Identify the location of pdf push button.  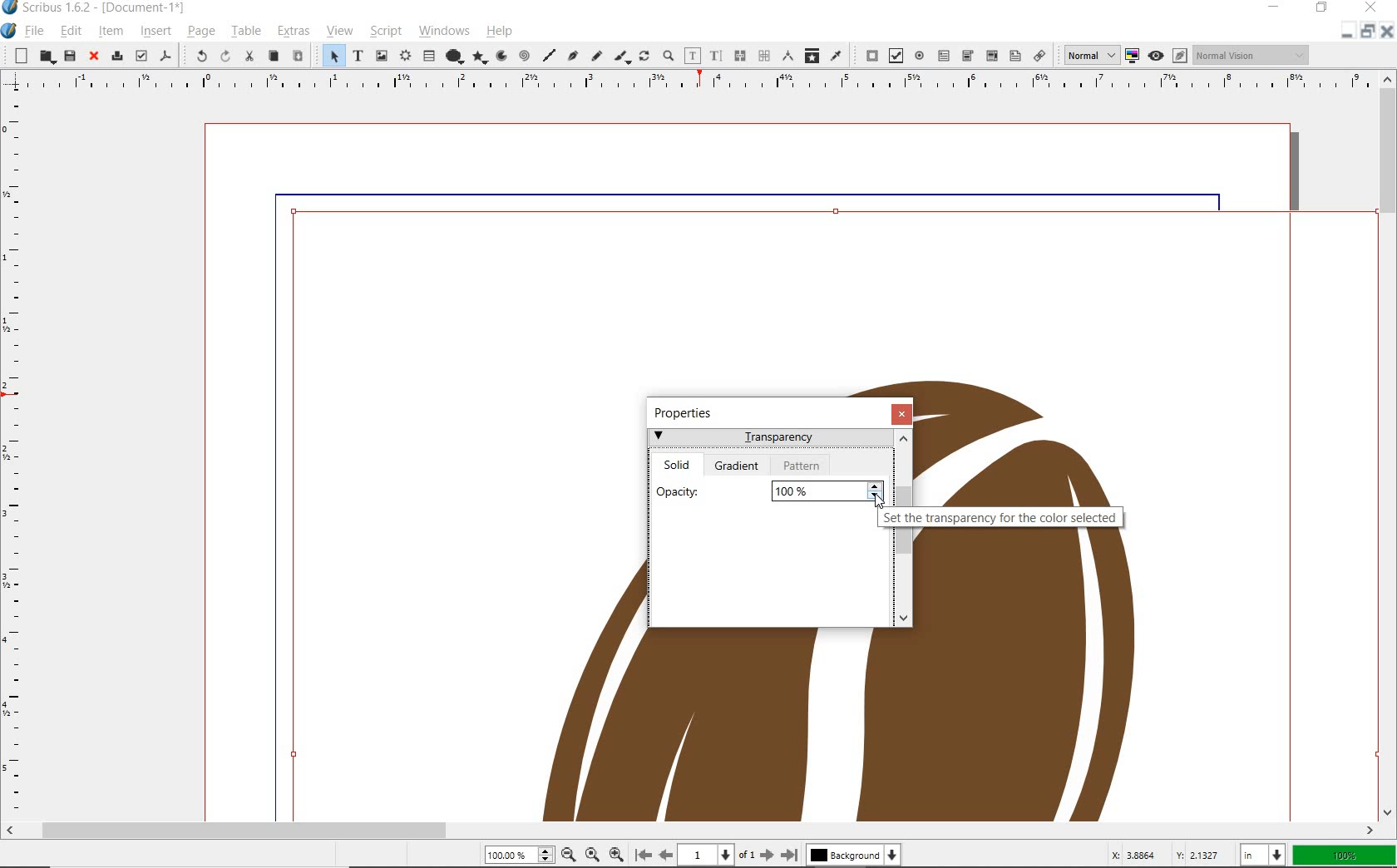
(866, 55).